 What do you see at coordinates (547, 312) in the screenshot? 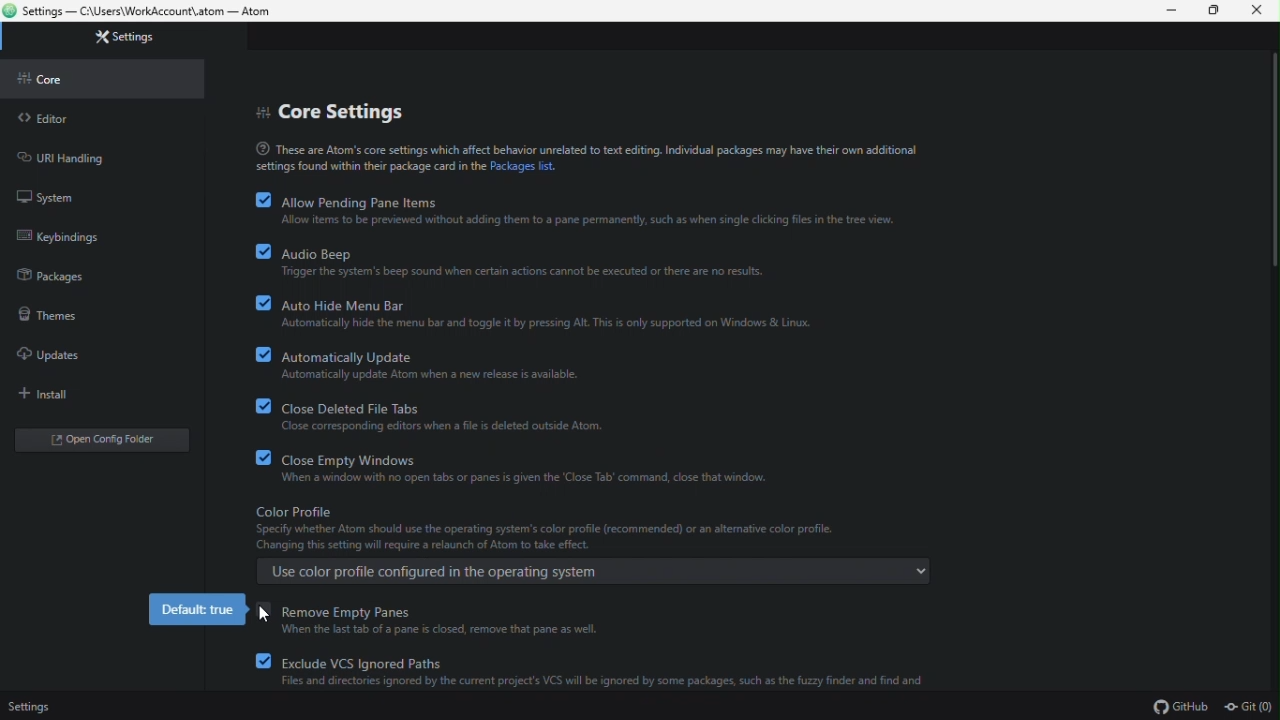
I see `auto hide menu bar` at bounding box center [547, 312].